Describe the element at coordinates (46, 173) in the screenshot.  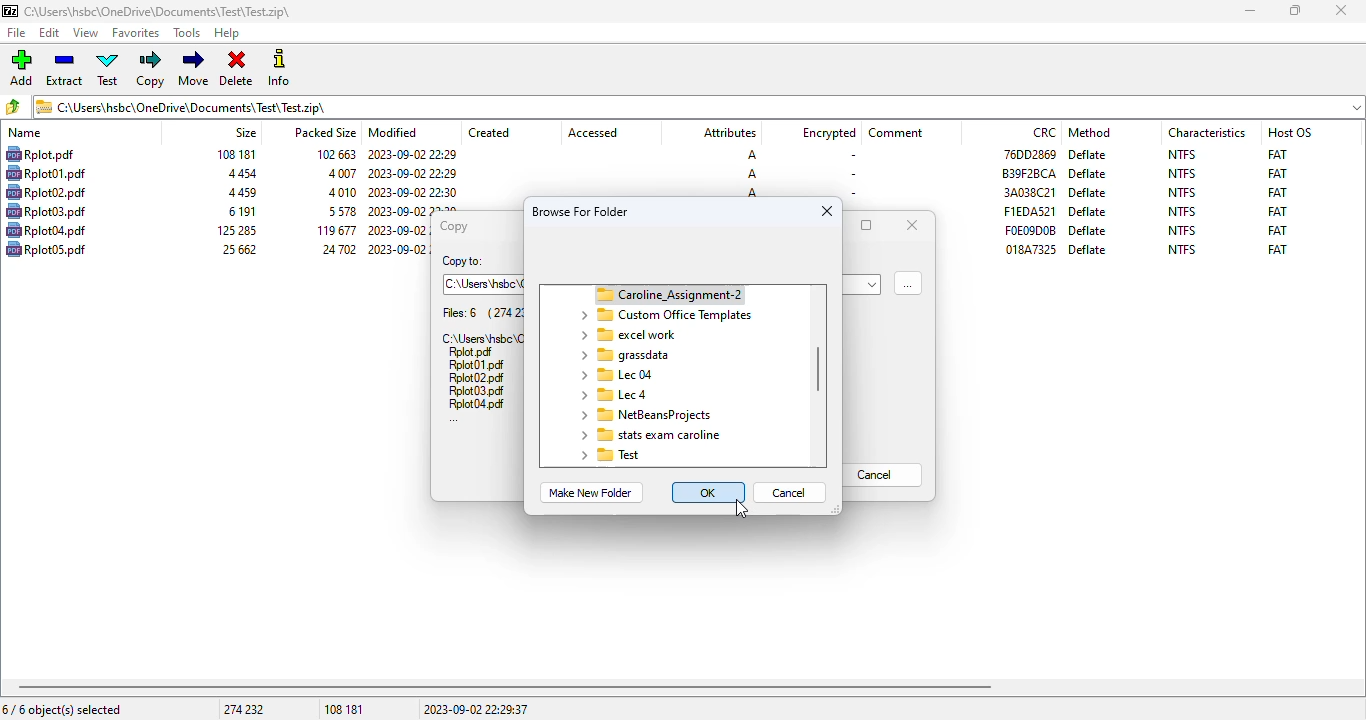
I see `file` at that location.